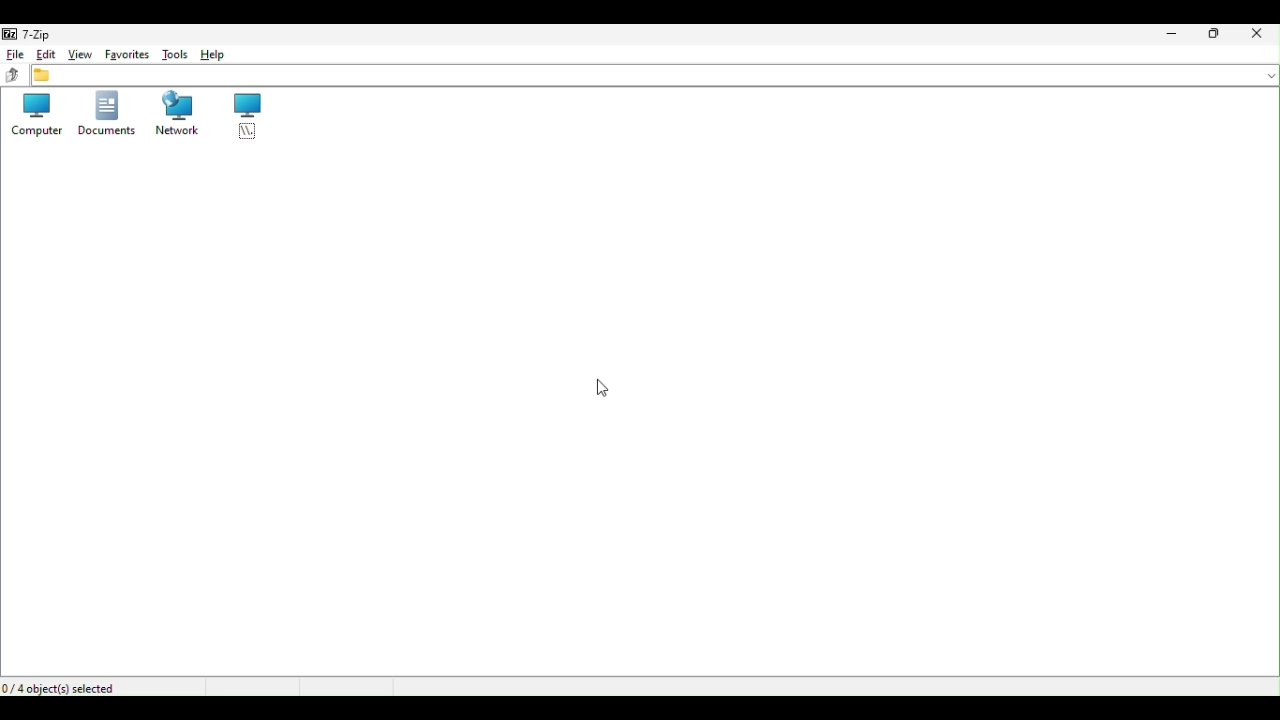 The width and height of the screenshot is (1280, 720). I want to click on mouse, so click(599, 389).